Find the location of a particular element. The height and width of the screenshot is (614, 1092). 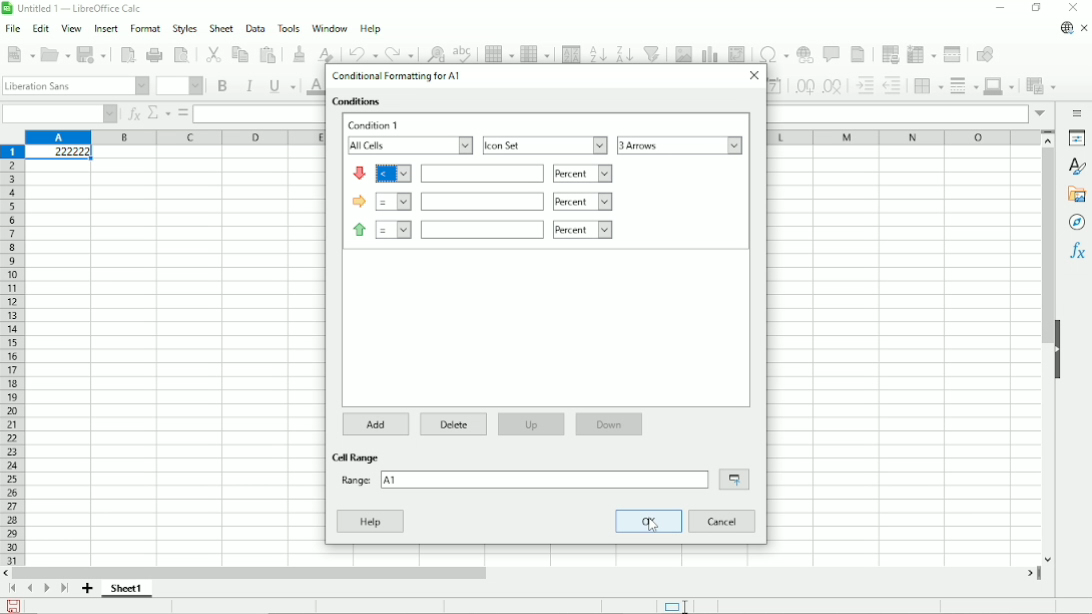

Show draw functions is located at coordinates (983, 53).